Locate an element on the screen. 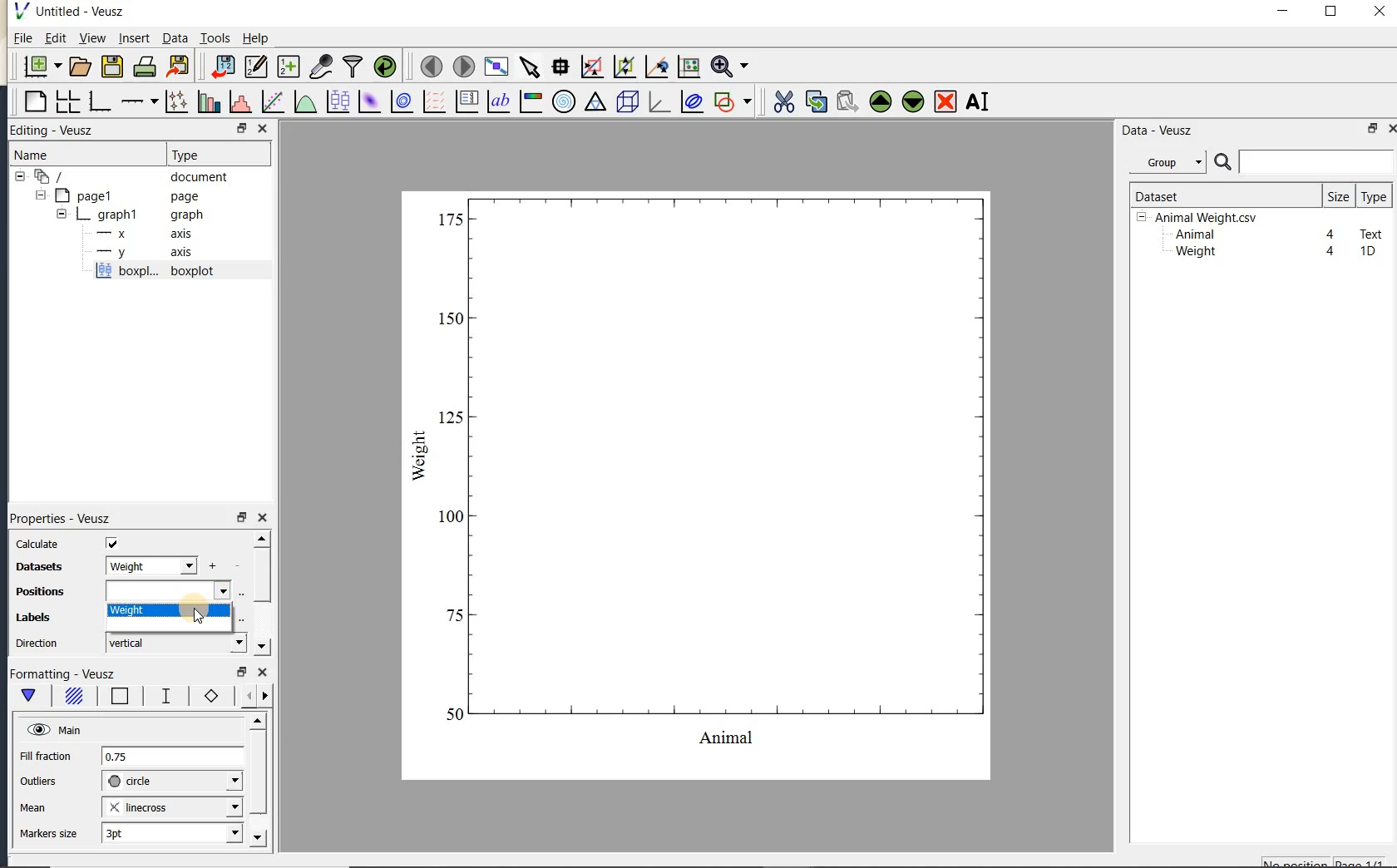 The width and height of the screenshot is (1397, 868). box fill is located at coordinates (72, 697).